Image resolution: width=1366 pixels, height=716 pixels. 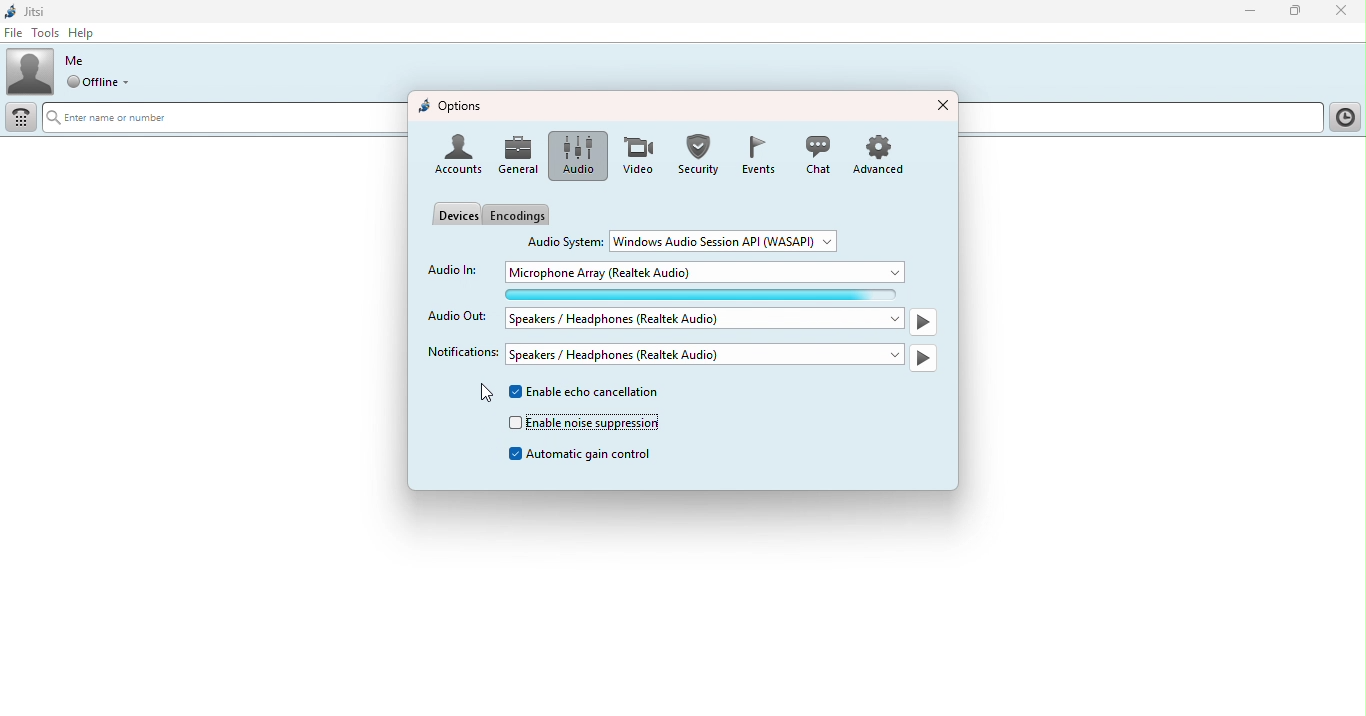 I want to click on Me, so click(x=75, y=61).